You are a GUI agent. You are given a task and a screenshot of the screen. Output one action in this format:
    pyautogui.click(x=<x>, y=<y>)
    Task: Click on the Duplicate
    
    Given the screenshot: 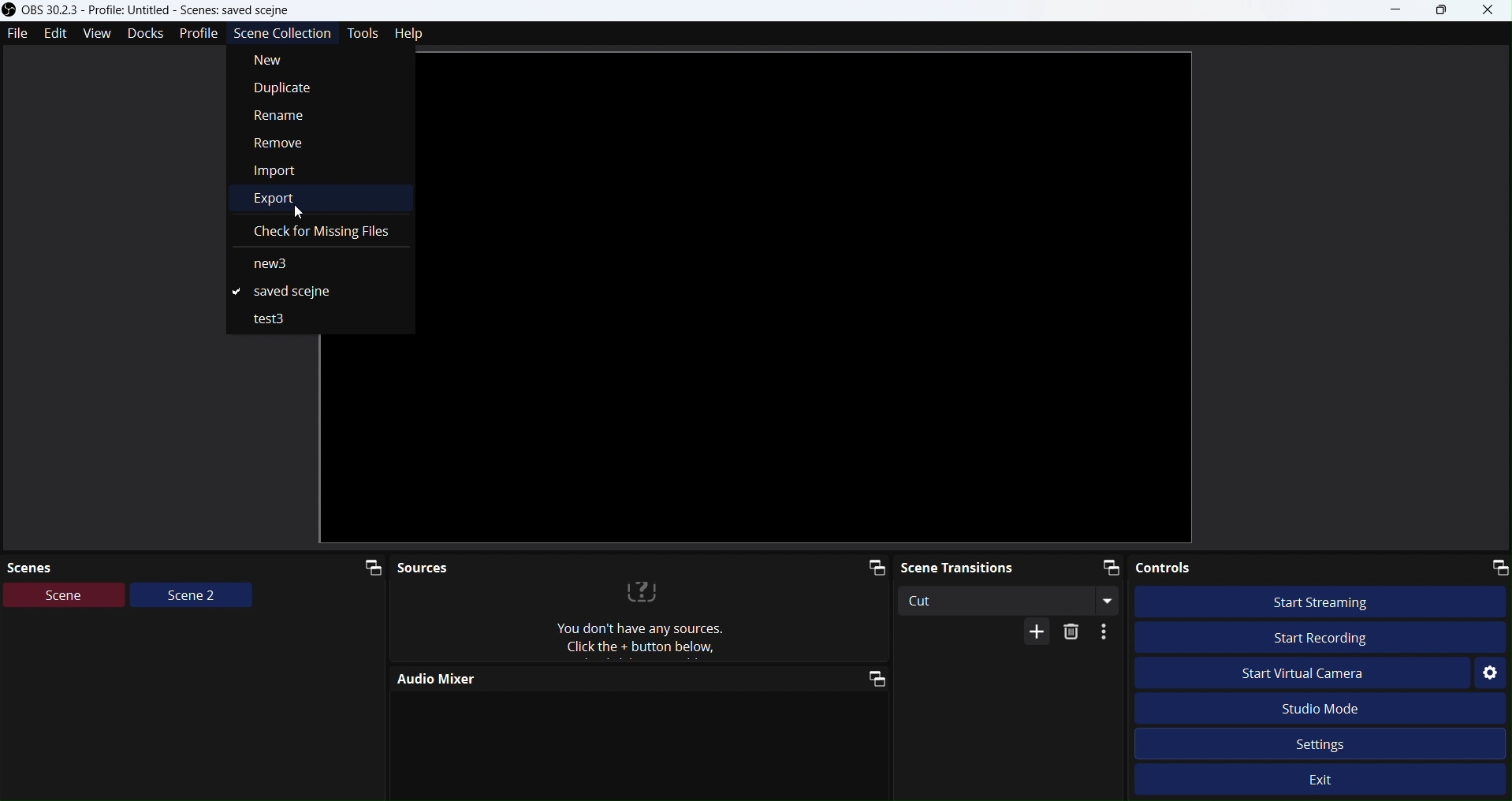 What is the action you would take?
    pyautogui.click(x=292, y=88)
    